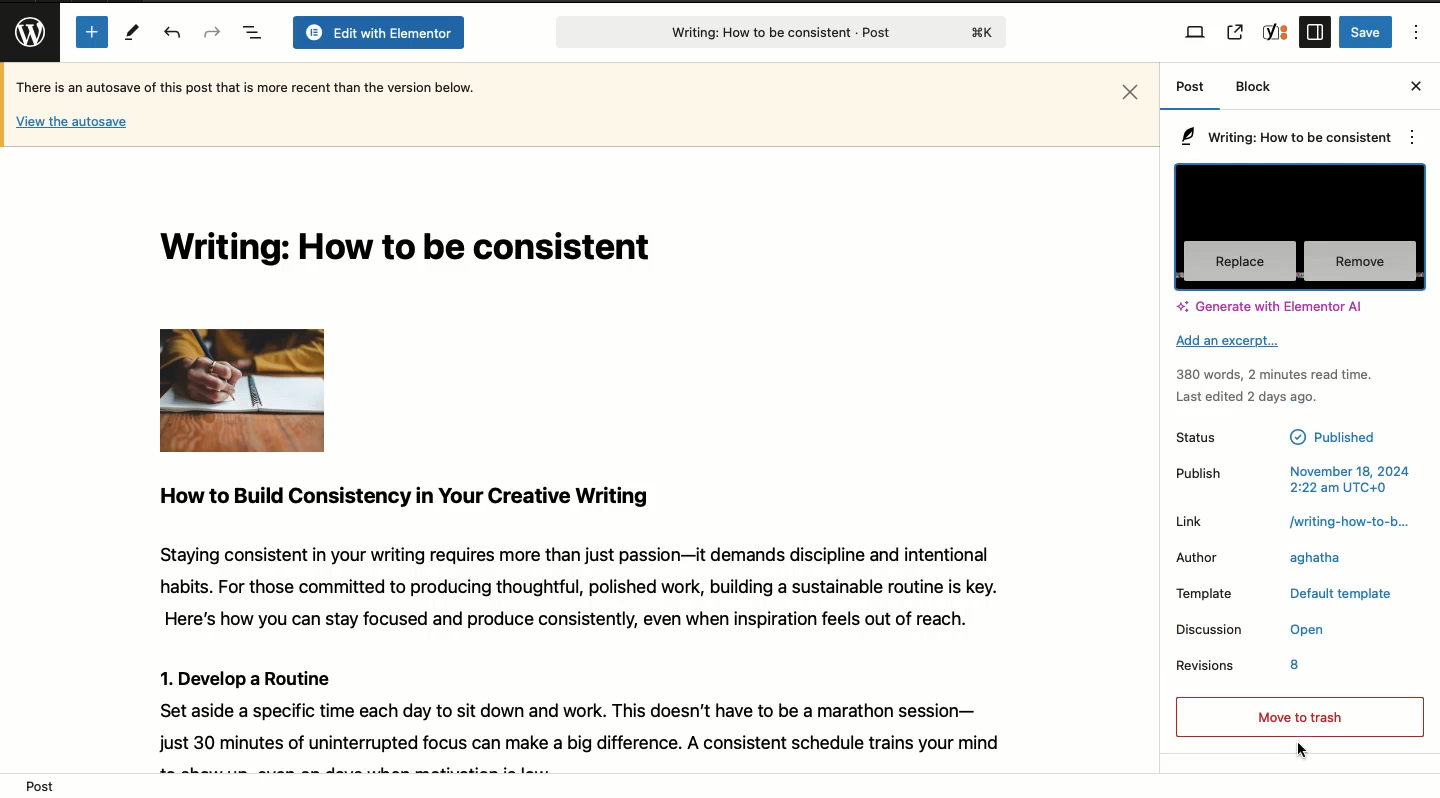 The width and height of the screenshot is (1440, 798). I want to click on View post, so click(1234, 32).